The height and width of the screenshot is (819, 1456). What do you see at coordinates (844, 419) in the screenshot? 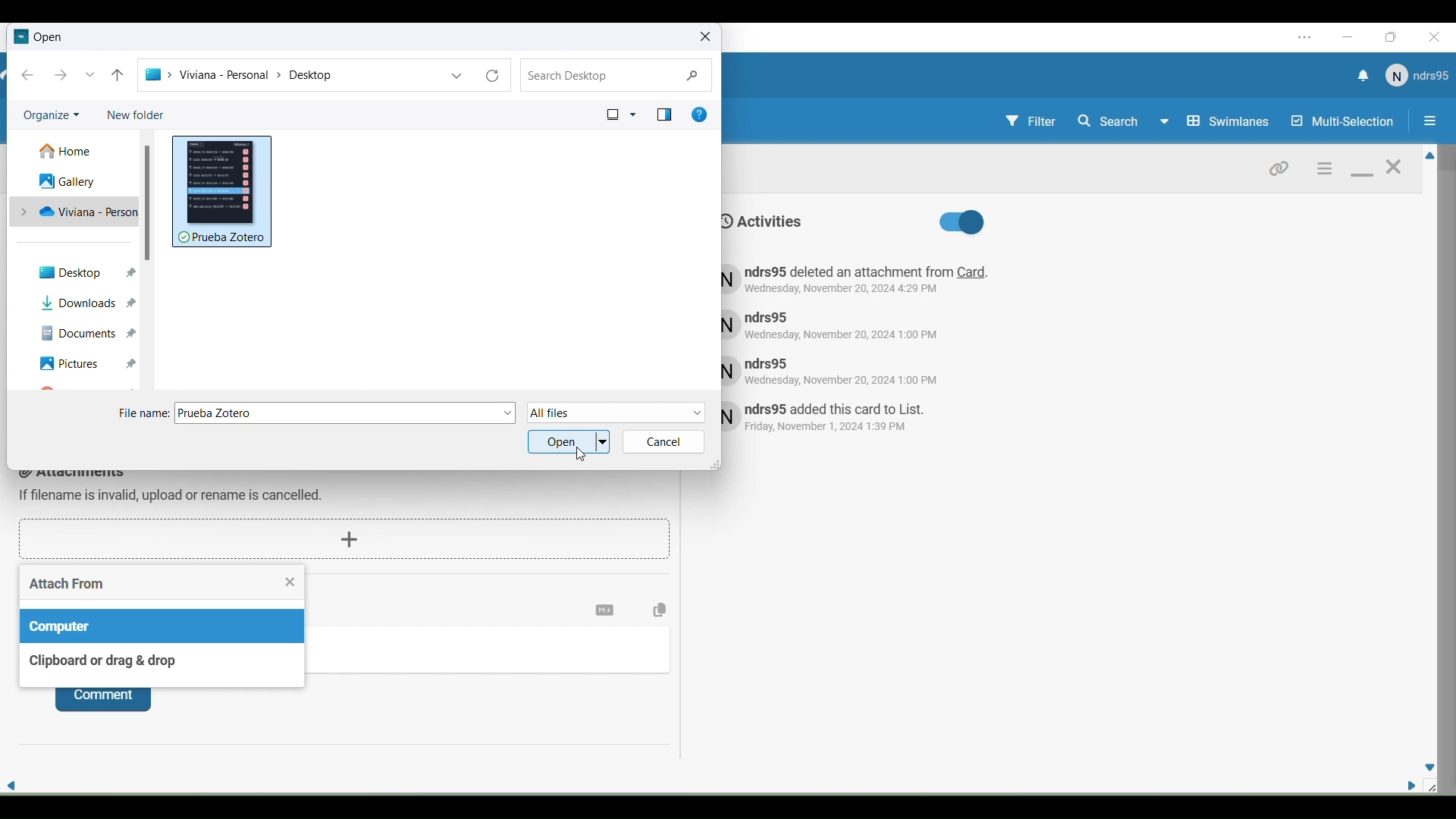
I see `Text` at bounding box center [844, 419].